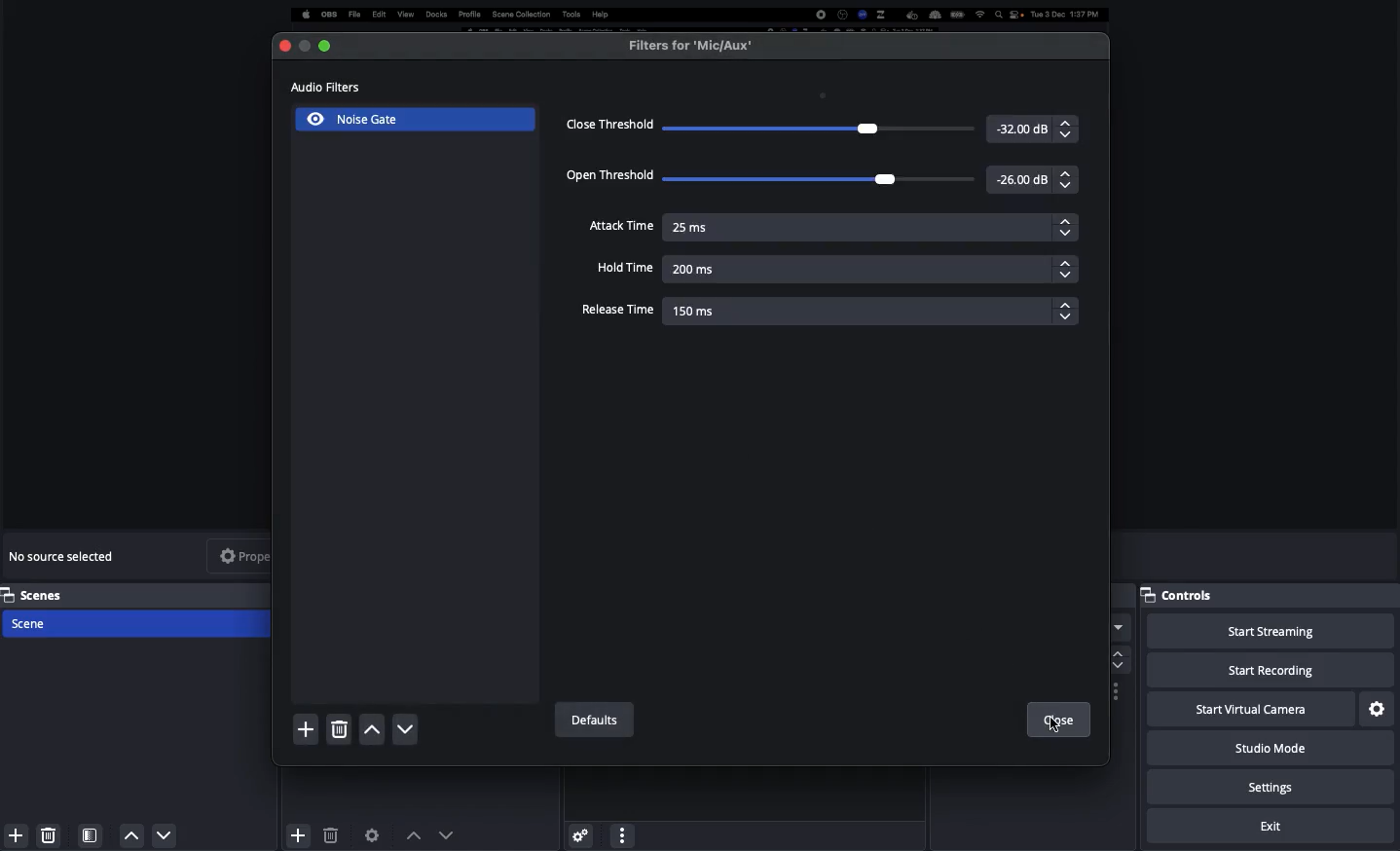  Describe the element at coordinates (374, 833) in the screenshot. I see `Source preferences ` at that location.